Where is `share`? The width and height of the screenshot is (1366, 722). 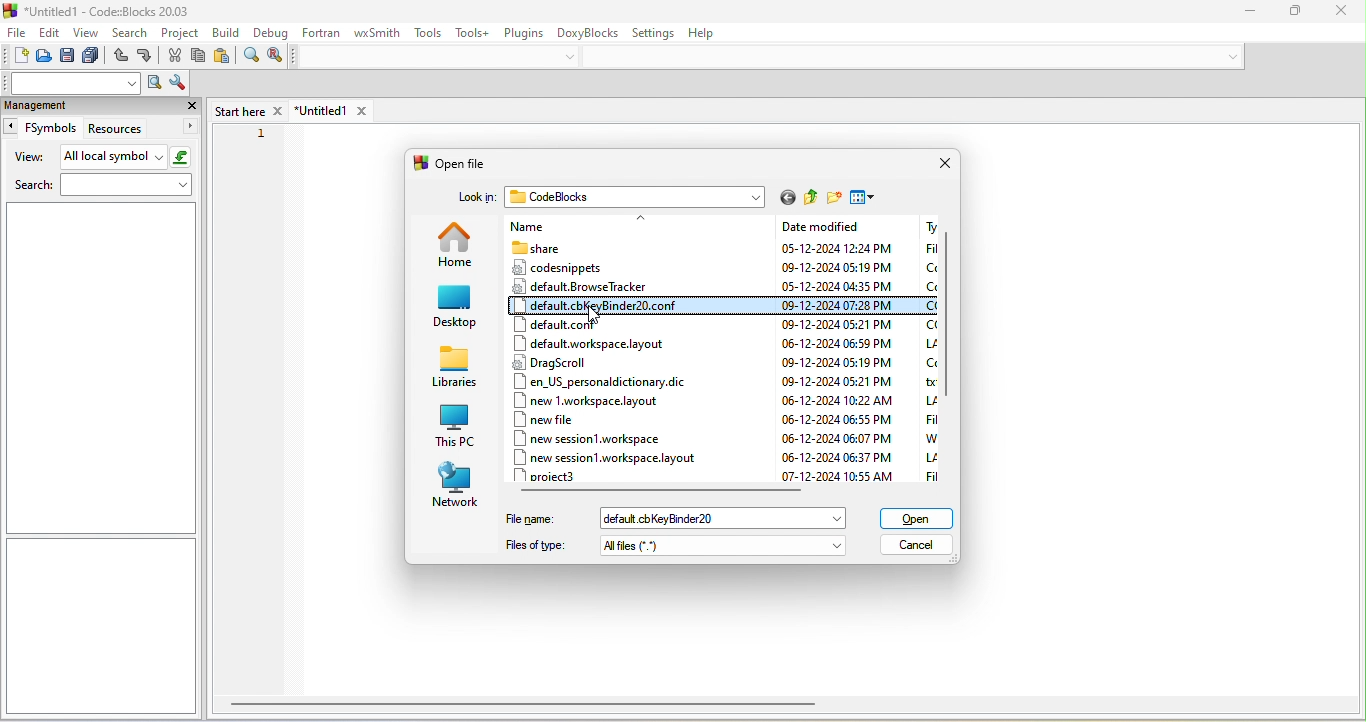 share is located at coordinates (572, 248).